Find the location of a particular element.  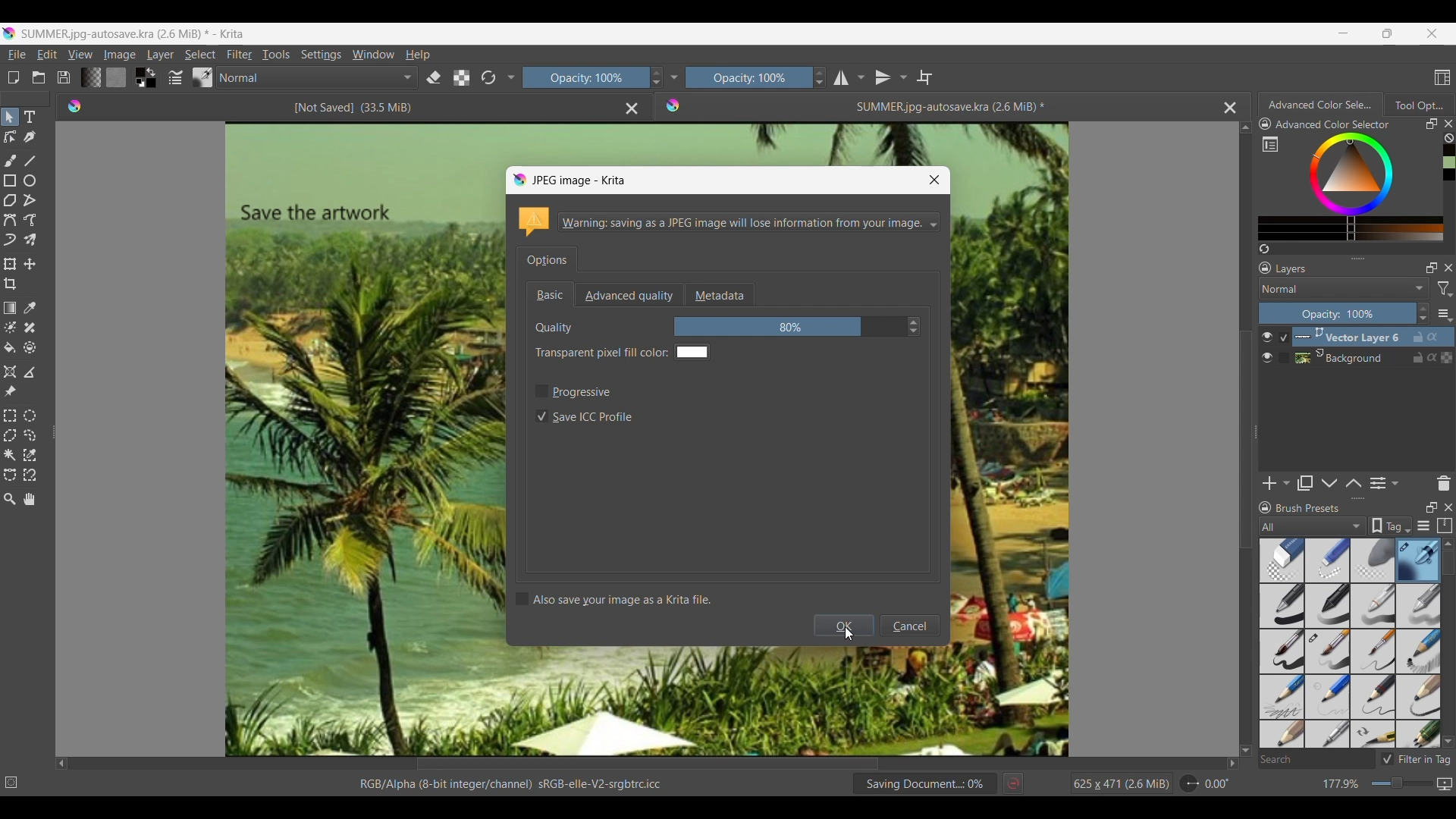

Freehand brush tool is located at coordinates (10, 160).